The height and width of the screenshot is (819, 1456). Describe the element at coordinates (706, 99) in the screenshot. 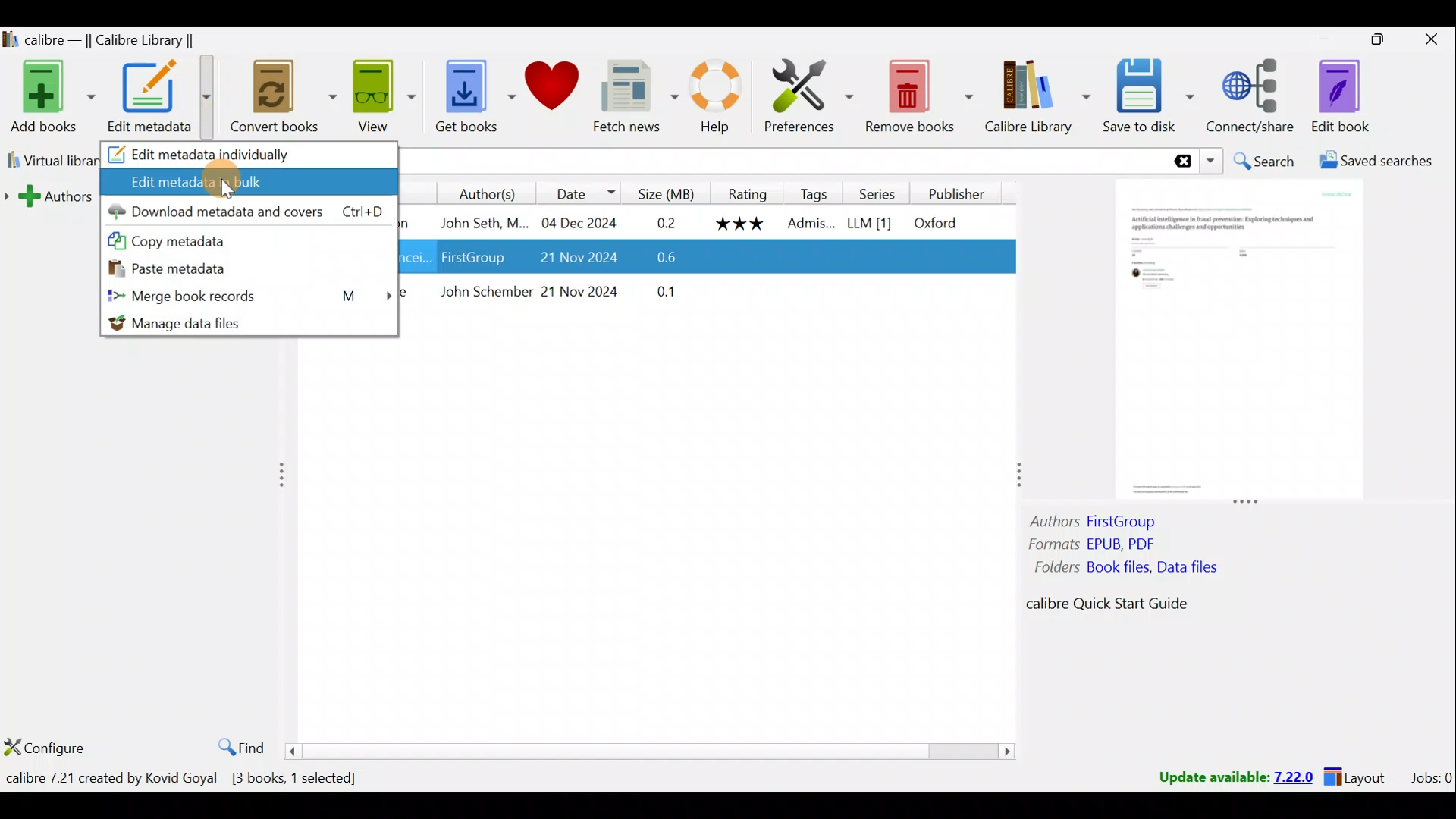

I see `Help` at that location.